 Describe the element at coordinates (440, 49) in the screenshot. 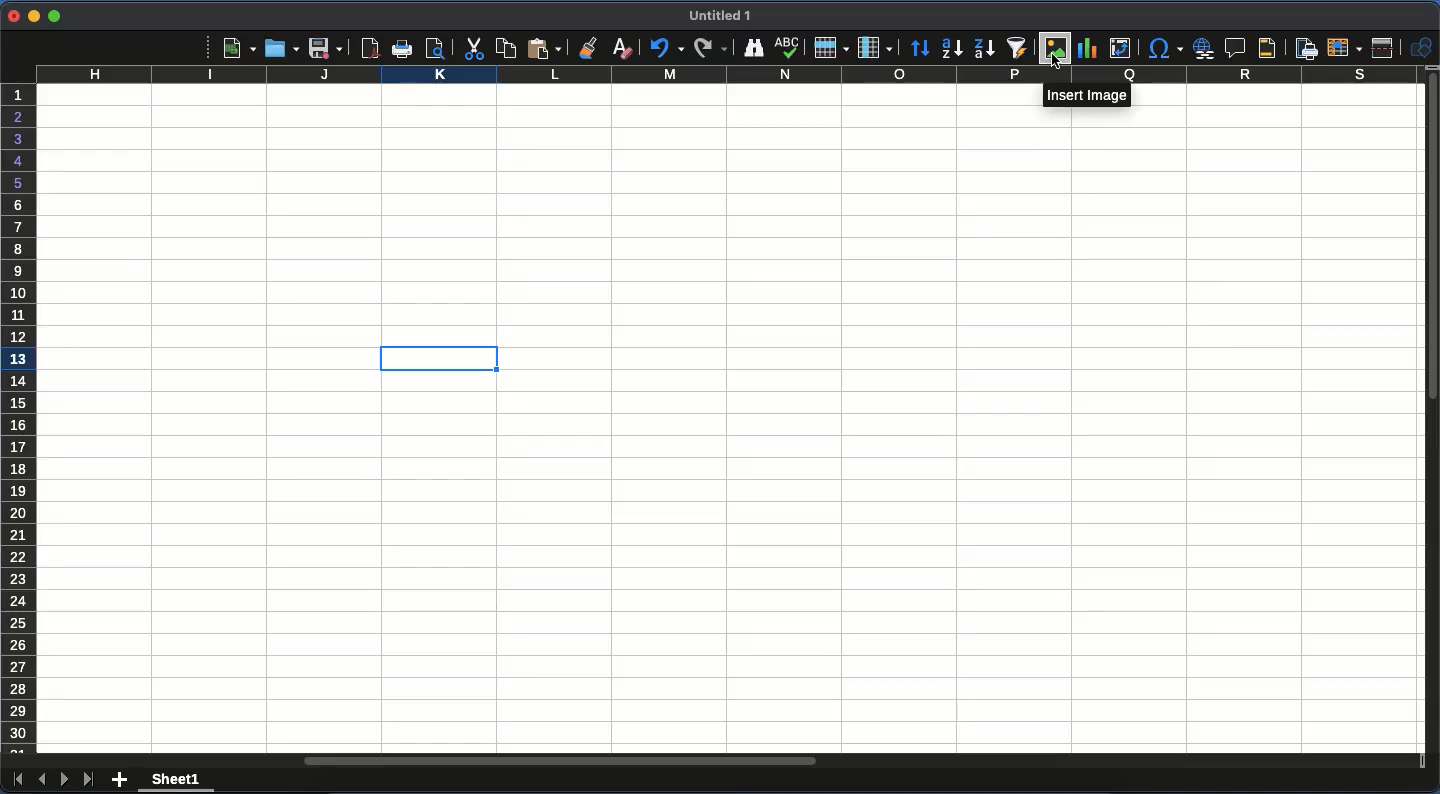

I see `print preview ` at that location.